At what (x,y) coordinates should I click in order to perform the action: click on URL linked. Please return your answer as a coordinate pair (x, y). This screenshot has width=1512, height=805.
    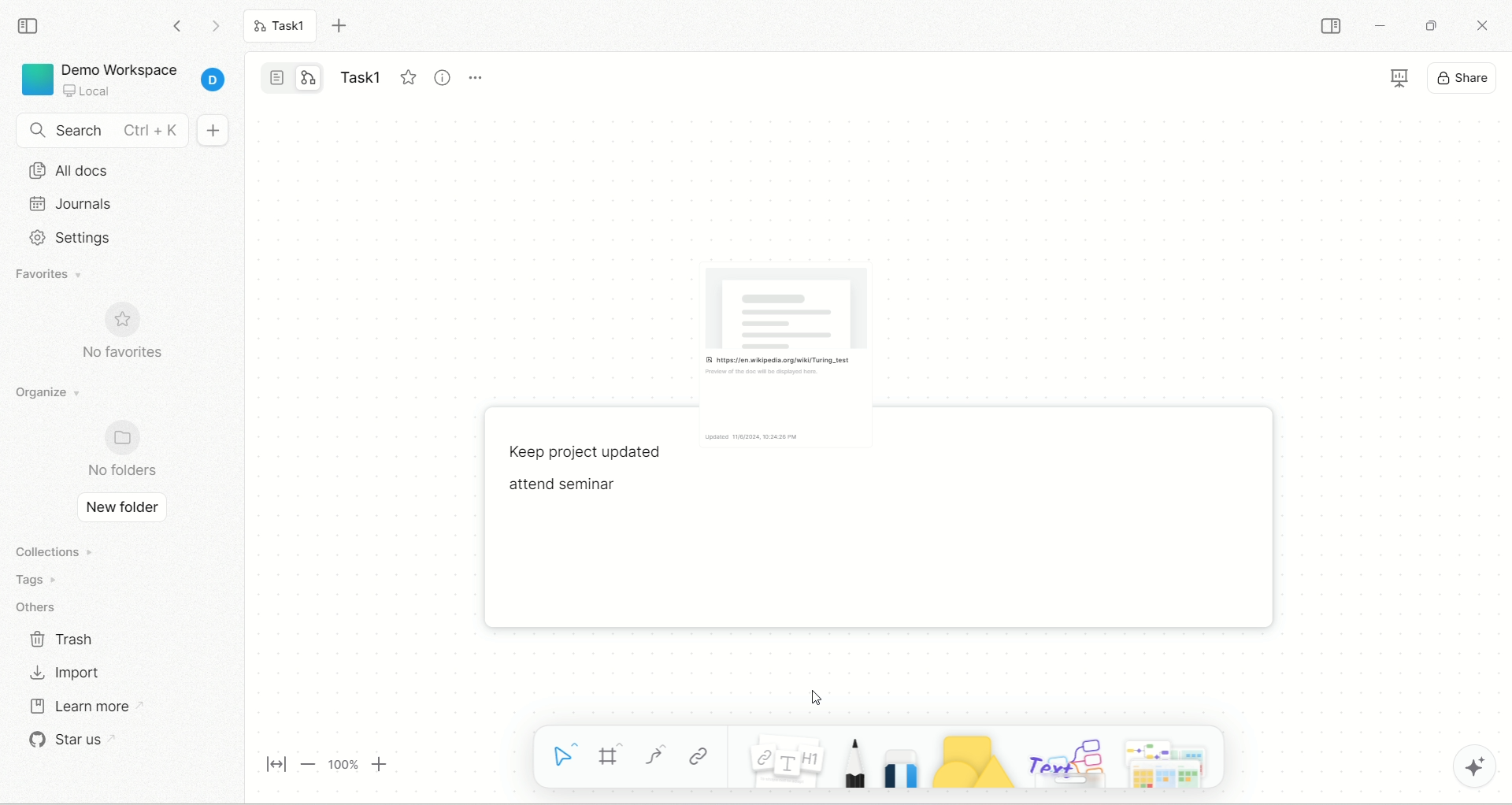
    Looking at the image, I should click on (802, 334).